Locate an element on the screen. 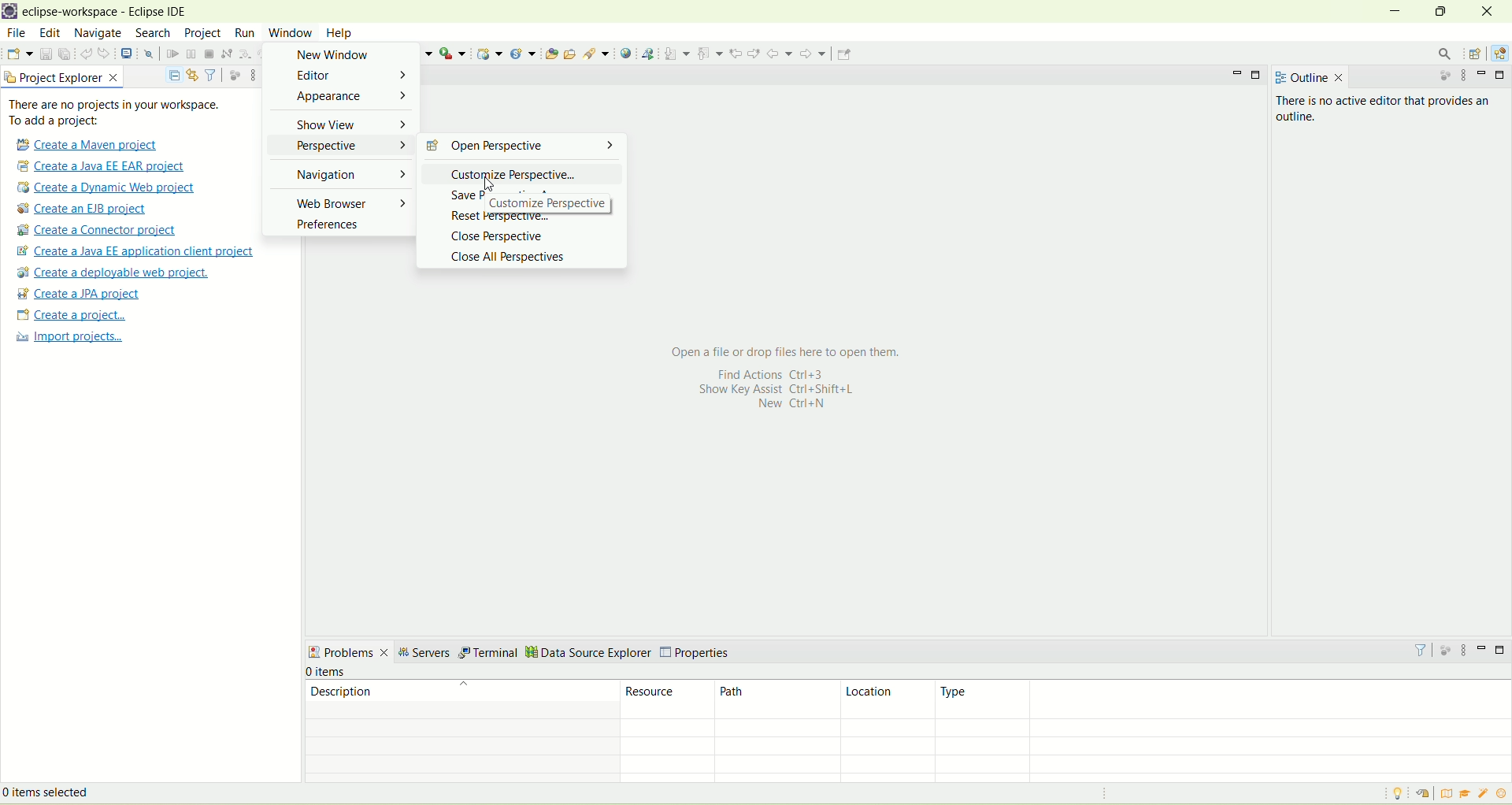  resume is located at coordinates (172, 56).